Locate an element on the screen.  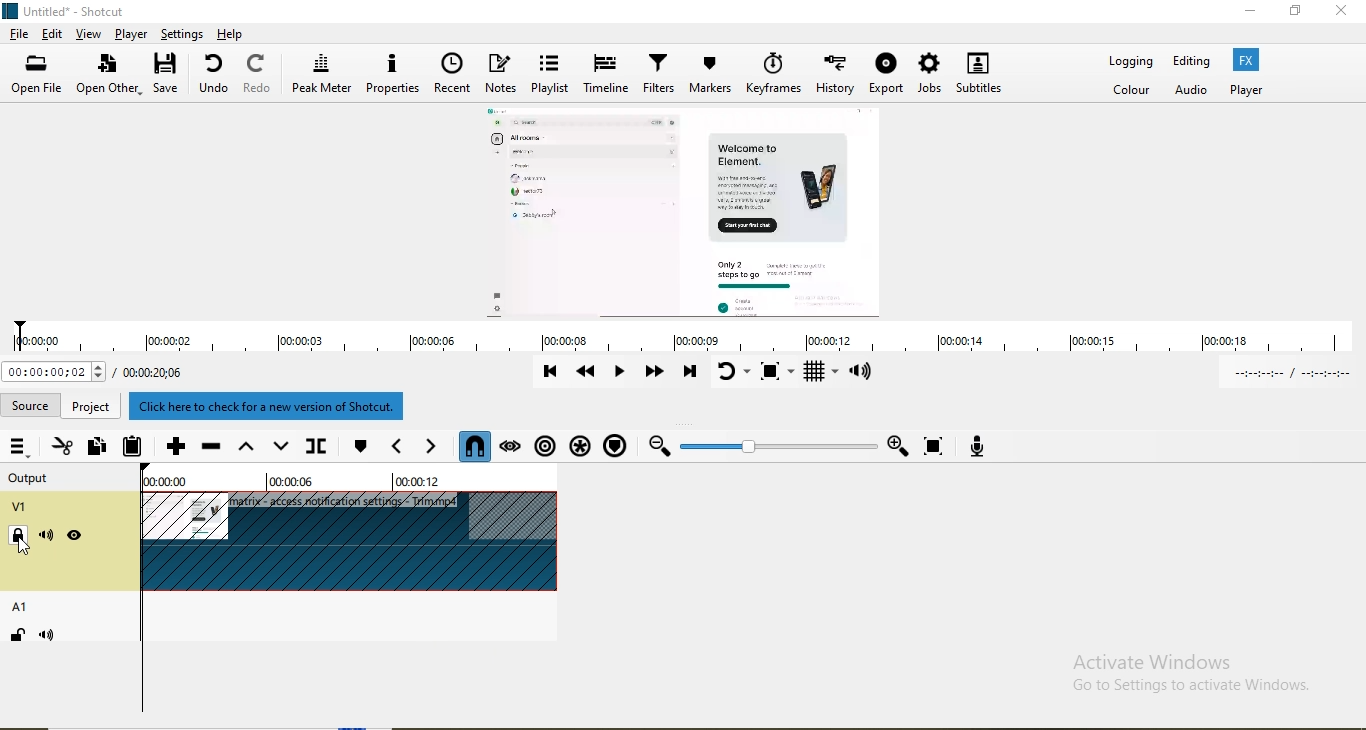
Edit is located at coordinates (54, 36).